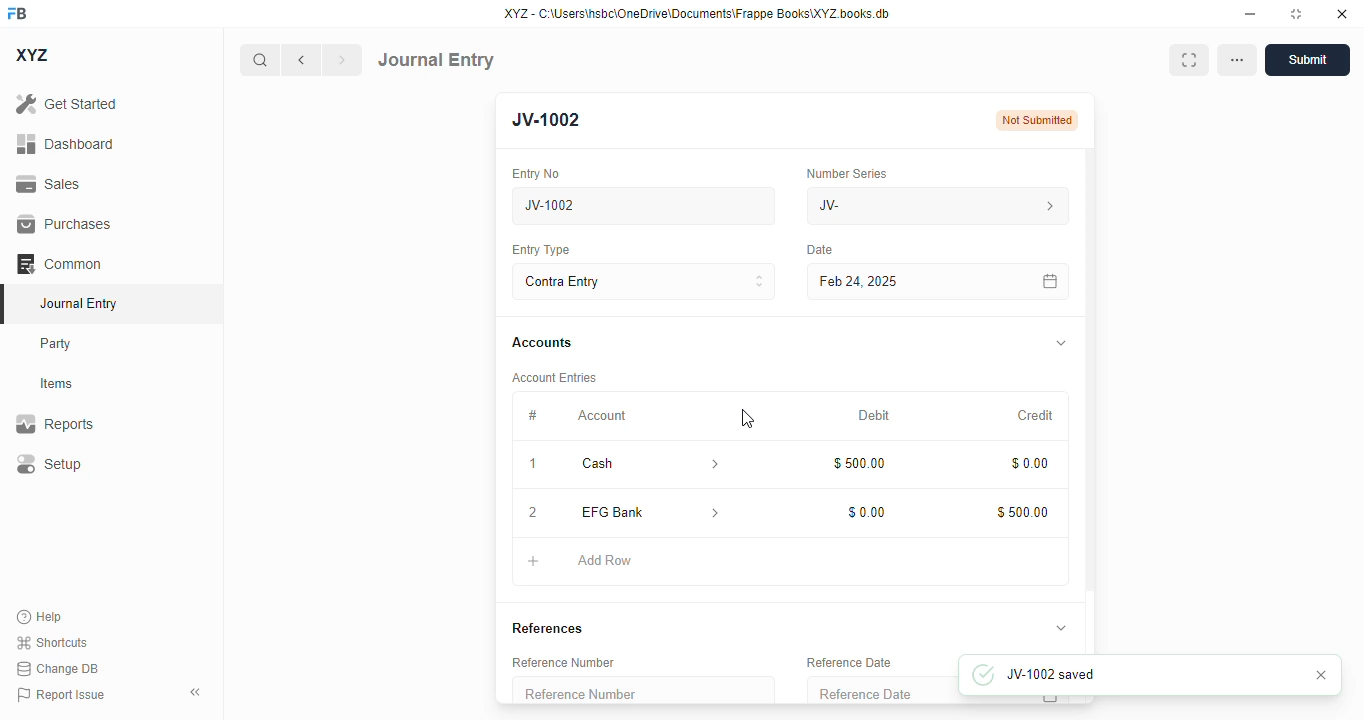 The width and height of the screenshot is (1364, 720). I want to click on JV-, so click(938, 206).